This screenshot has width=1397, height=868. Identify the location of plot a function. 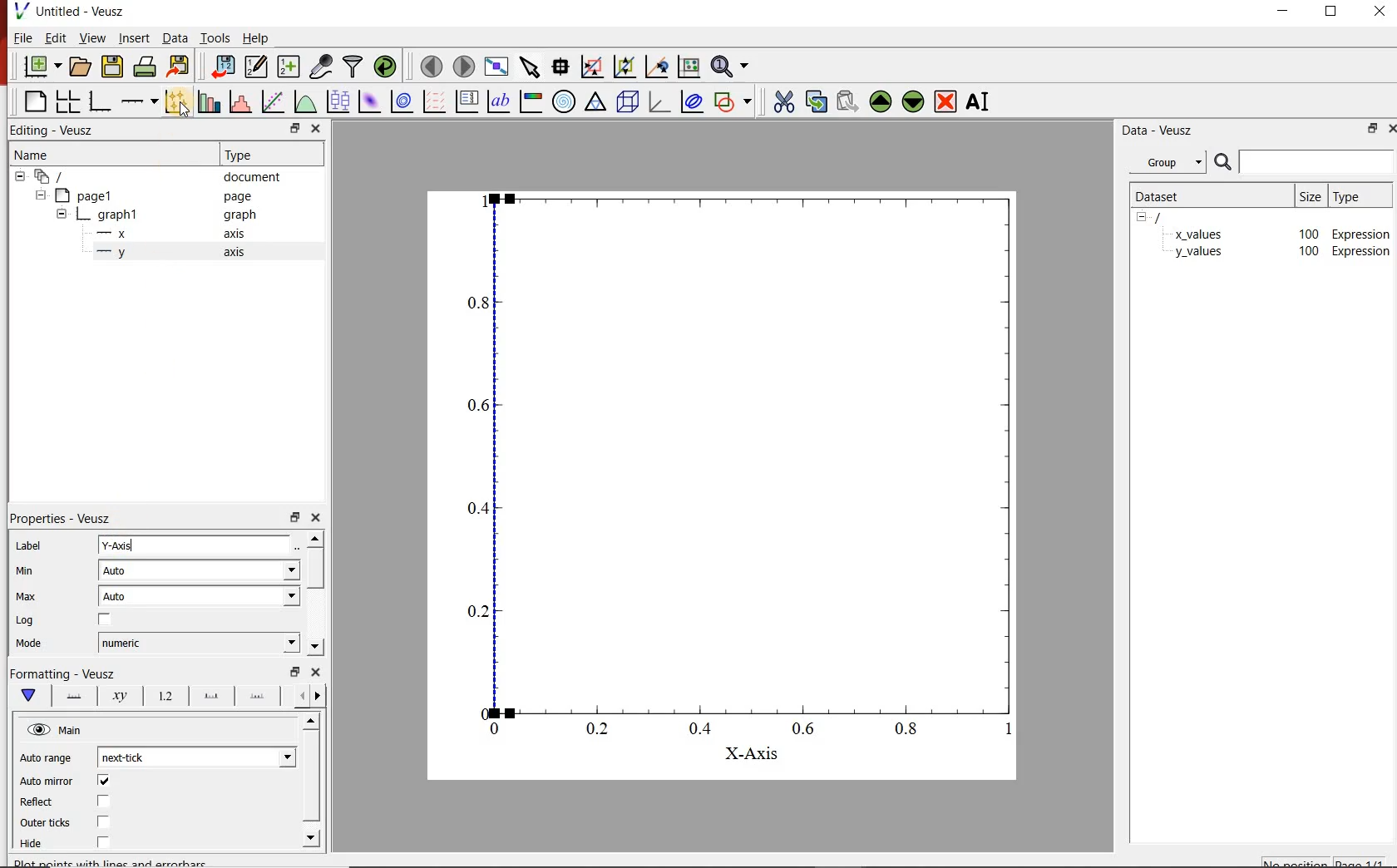
(303, 100).